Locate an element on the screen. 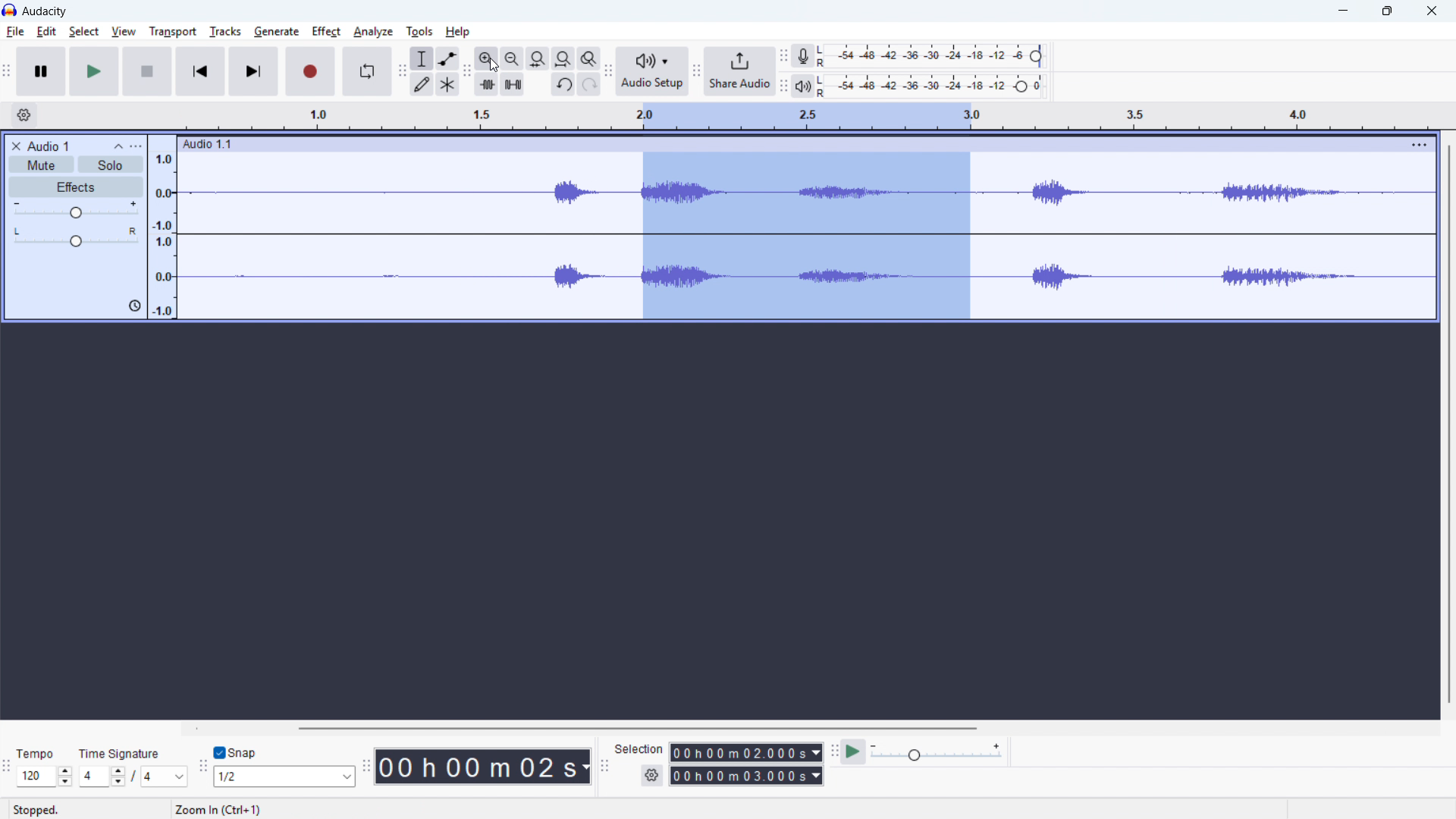 Image resolution: width=1456 pixels, height=819 pixels. Selection start time is located at coordinates (747, 752).